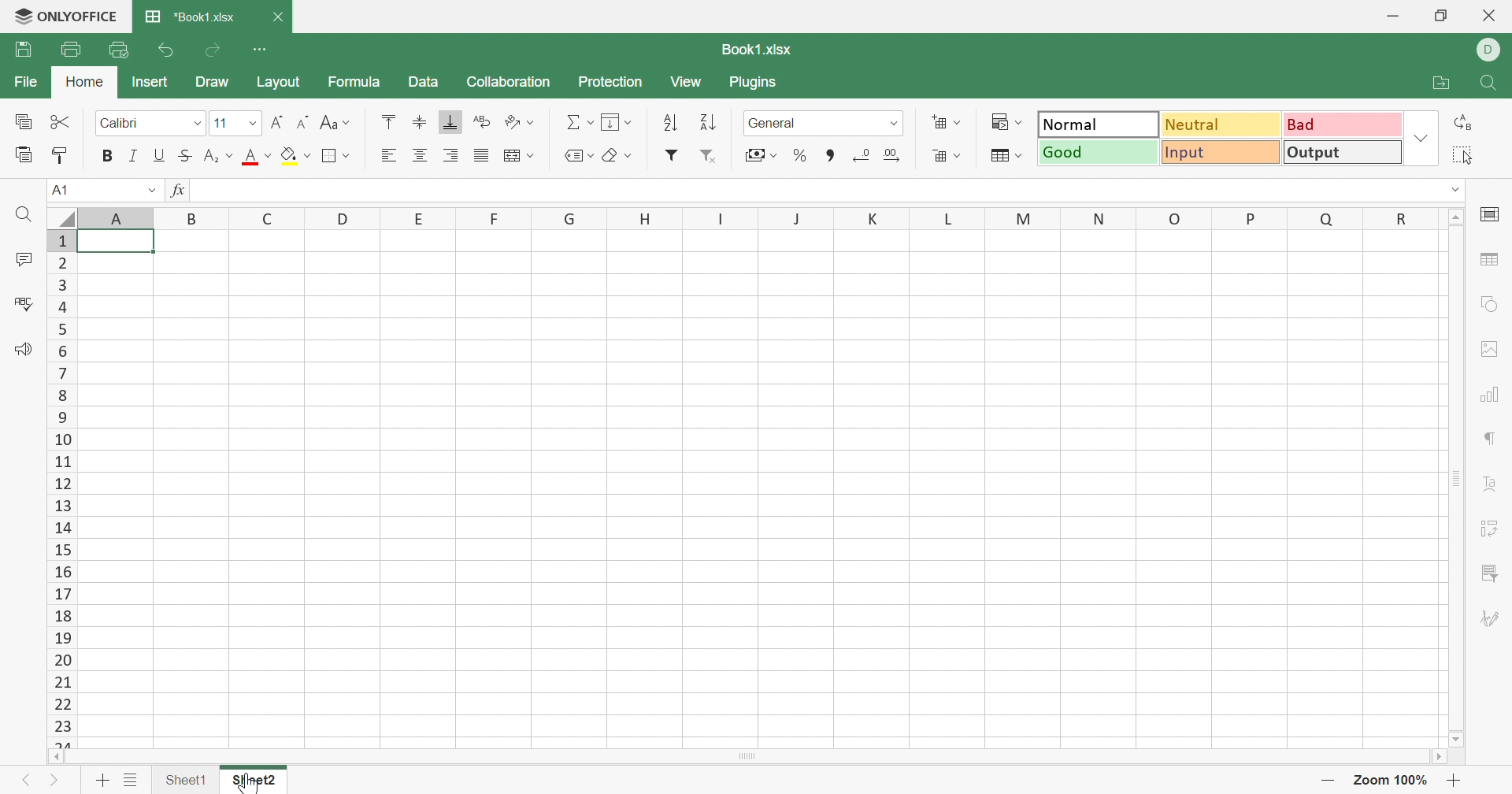  Describe the element at coordinates (24, 258) in the screenshot. I see `Comments` at that location.